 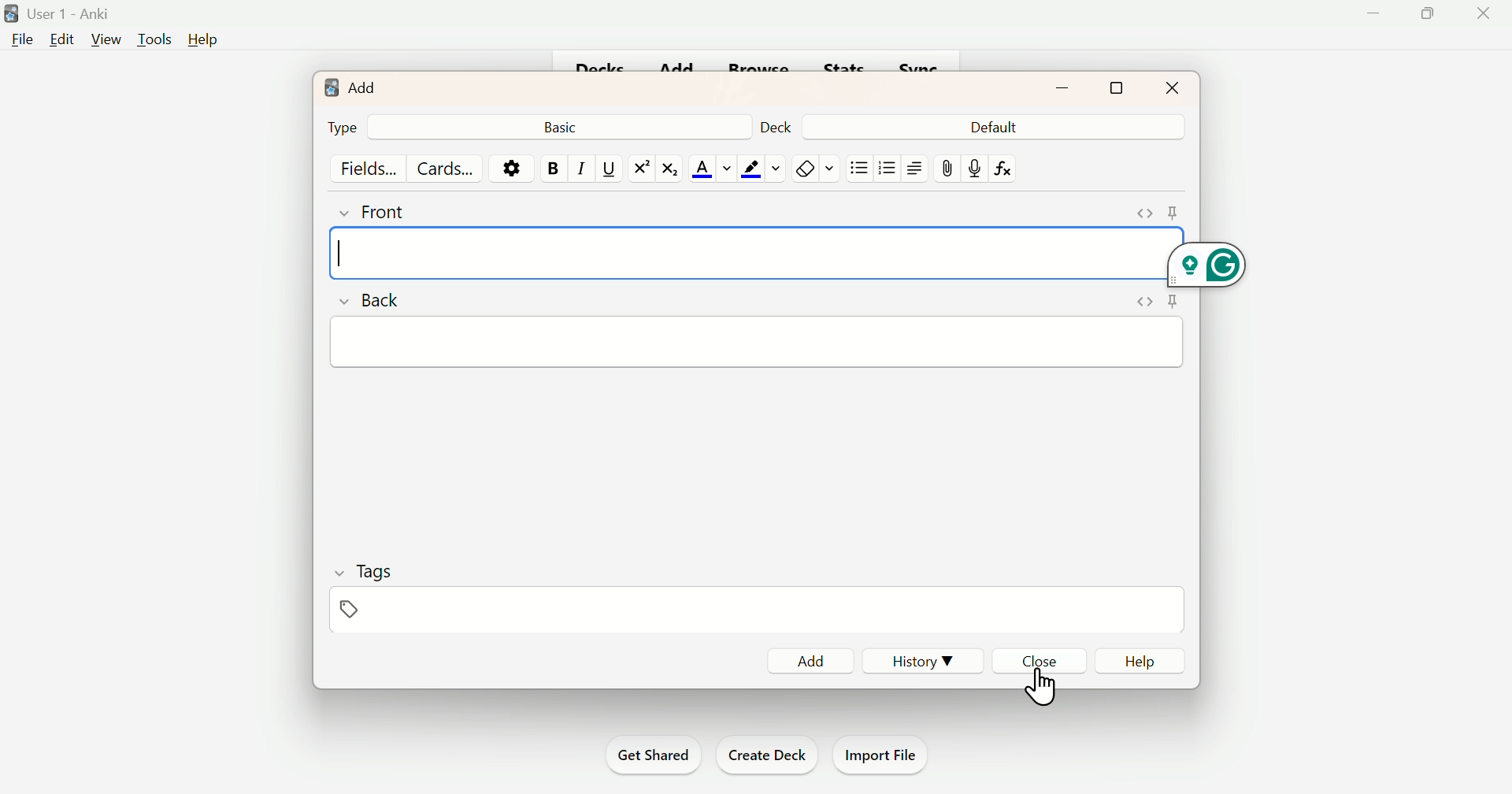 I want to click on Underline, so click(x=607, y=169).